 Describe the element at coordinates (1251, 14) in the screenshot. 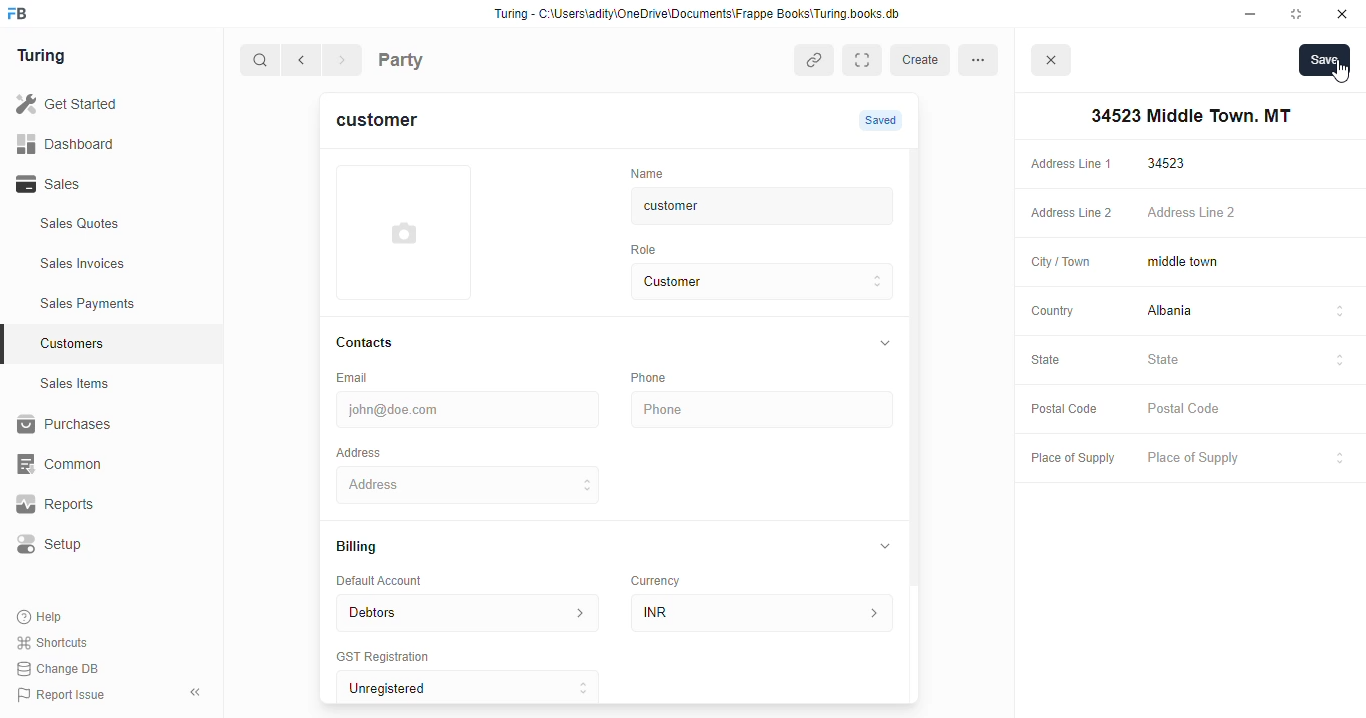

I see `minimise` at that location.